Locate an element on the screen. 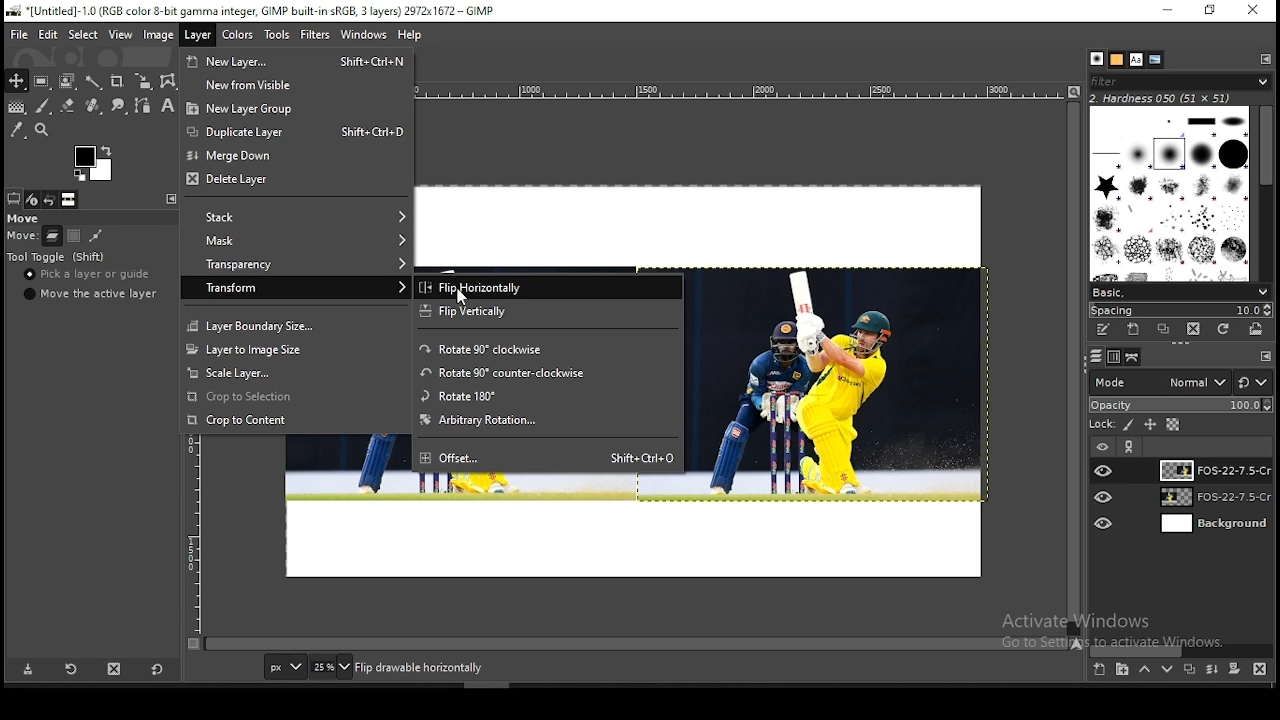 The height and width of the screenshot is (720, 1280). undo history is located at coordinates (49, 200).